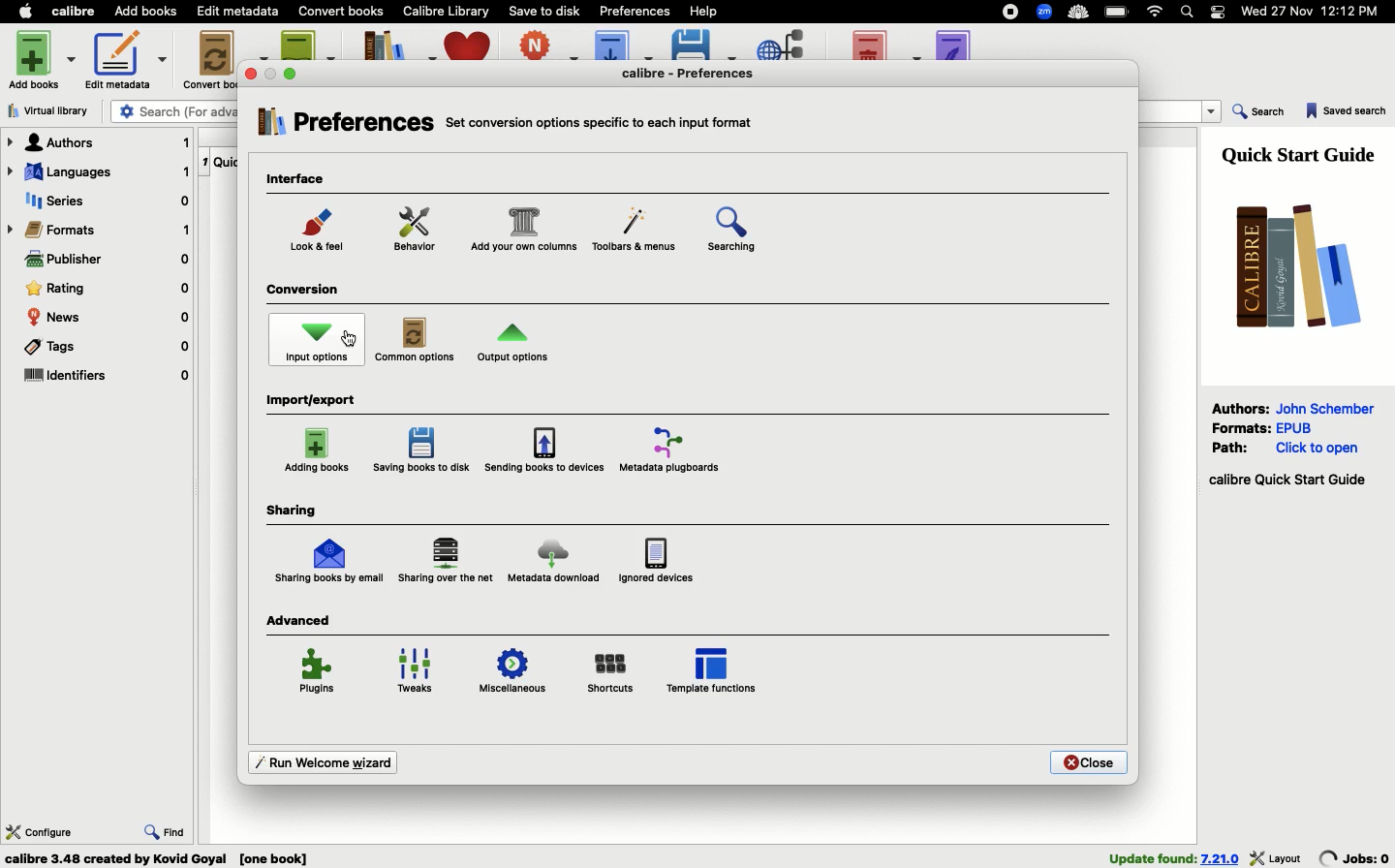 Image resolution: width=1395 pixels, height=868 pixels. Describe the element at coordinates (108, 318) in the screenshot. I see `News` at that location.